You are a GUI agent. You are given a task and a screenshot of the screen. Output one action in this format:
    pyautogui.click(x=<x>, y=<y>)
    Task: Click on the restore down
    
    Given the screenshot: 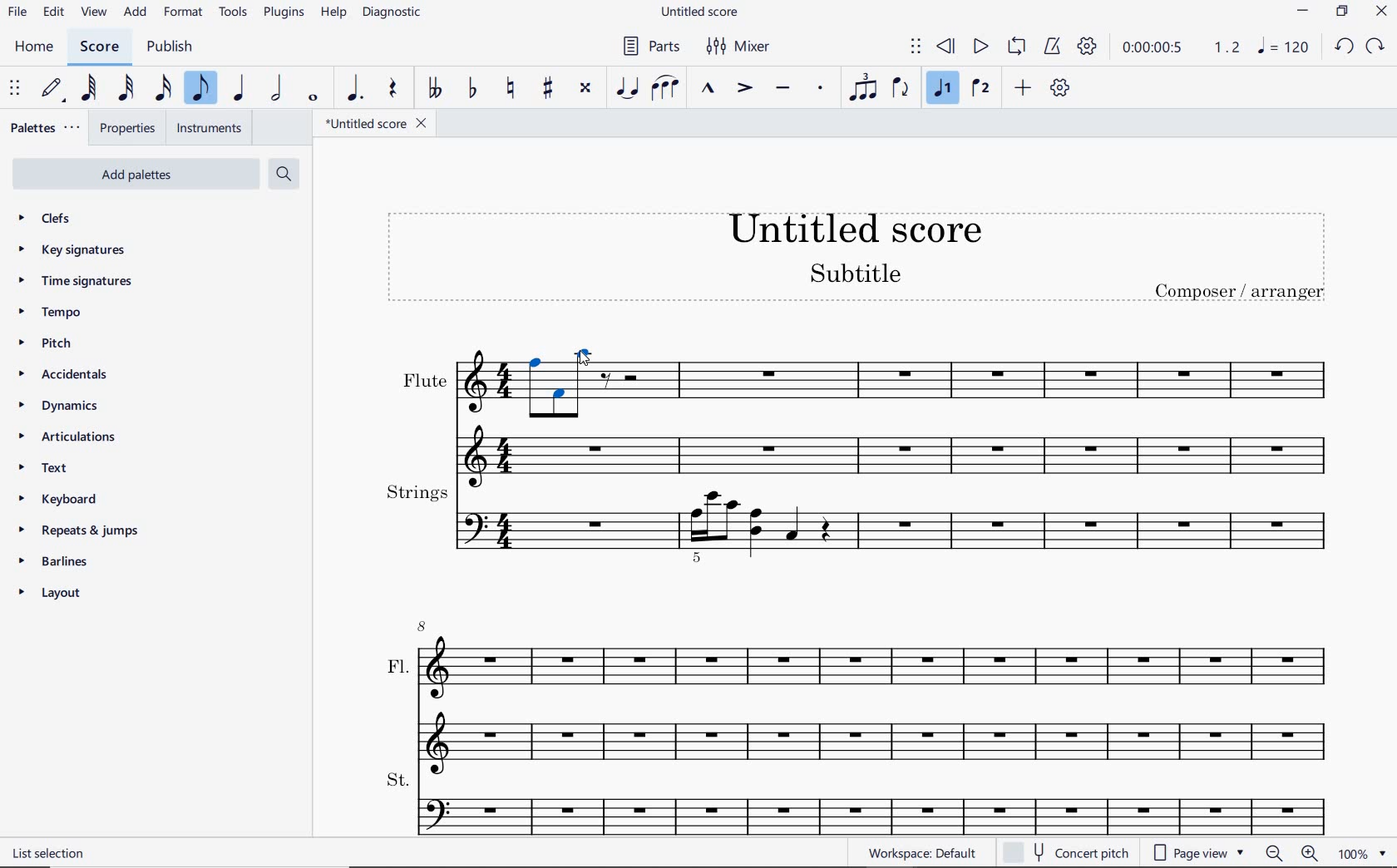 What is the action you would take?
    pyautogui.click(x=1342, y=11)
    